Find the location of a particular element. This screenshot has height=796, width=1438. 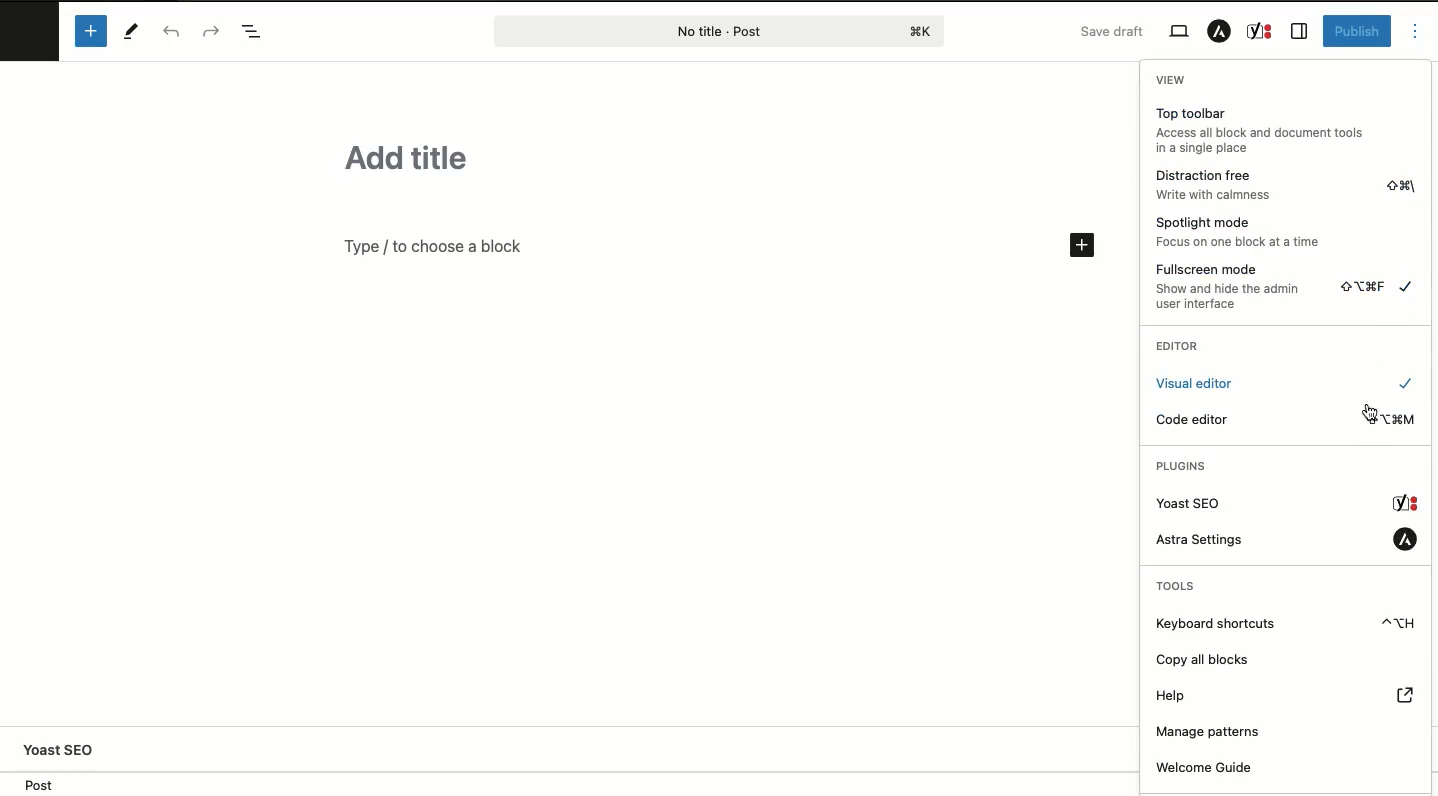

Add block is located at coordinates (93, 30).